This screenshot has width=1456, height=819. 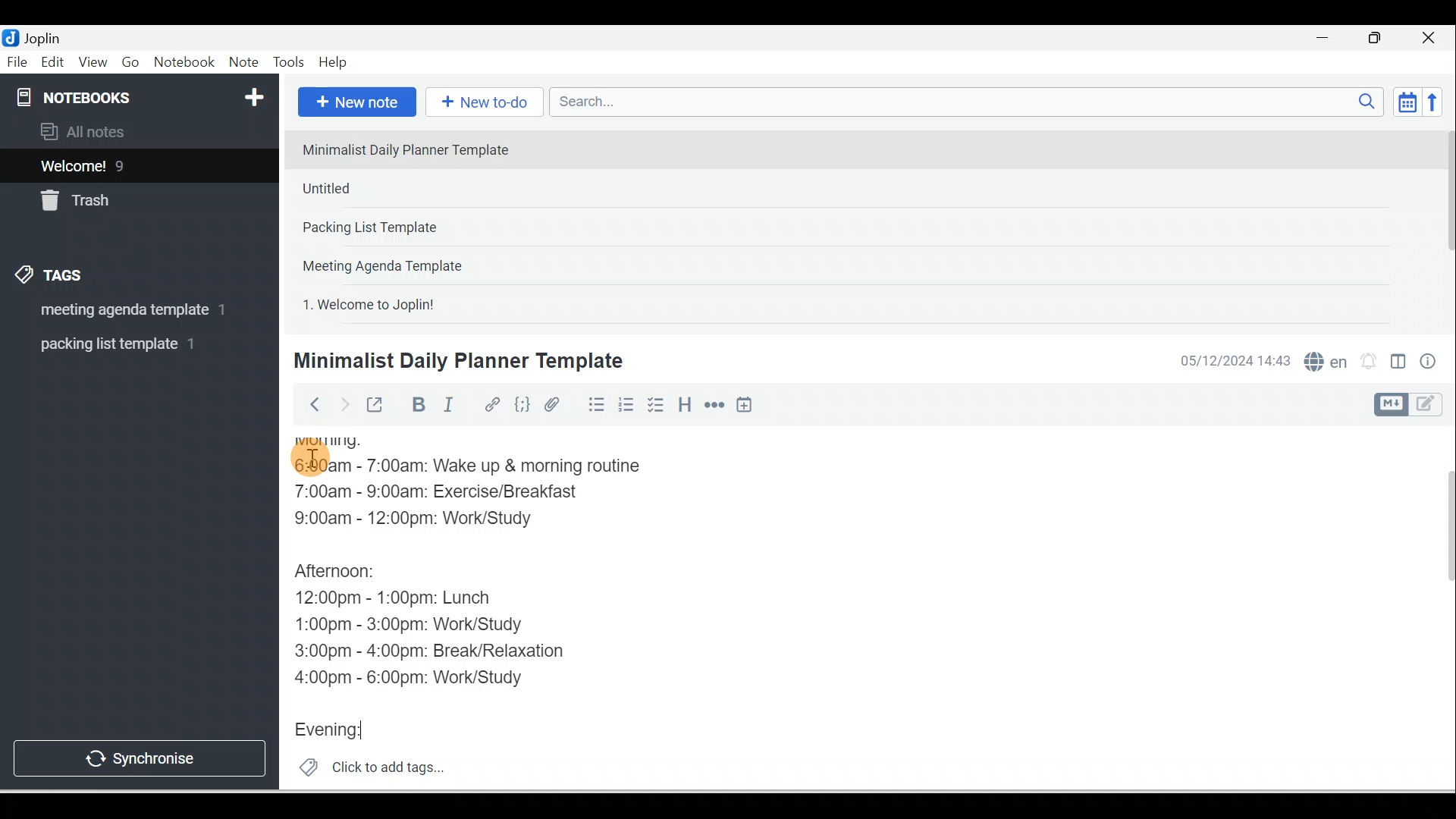 What do you see at coordinates (684, 403) in the screenshot?
I see `Heading` at bounding box center [684, 403].